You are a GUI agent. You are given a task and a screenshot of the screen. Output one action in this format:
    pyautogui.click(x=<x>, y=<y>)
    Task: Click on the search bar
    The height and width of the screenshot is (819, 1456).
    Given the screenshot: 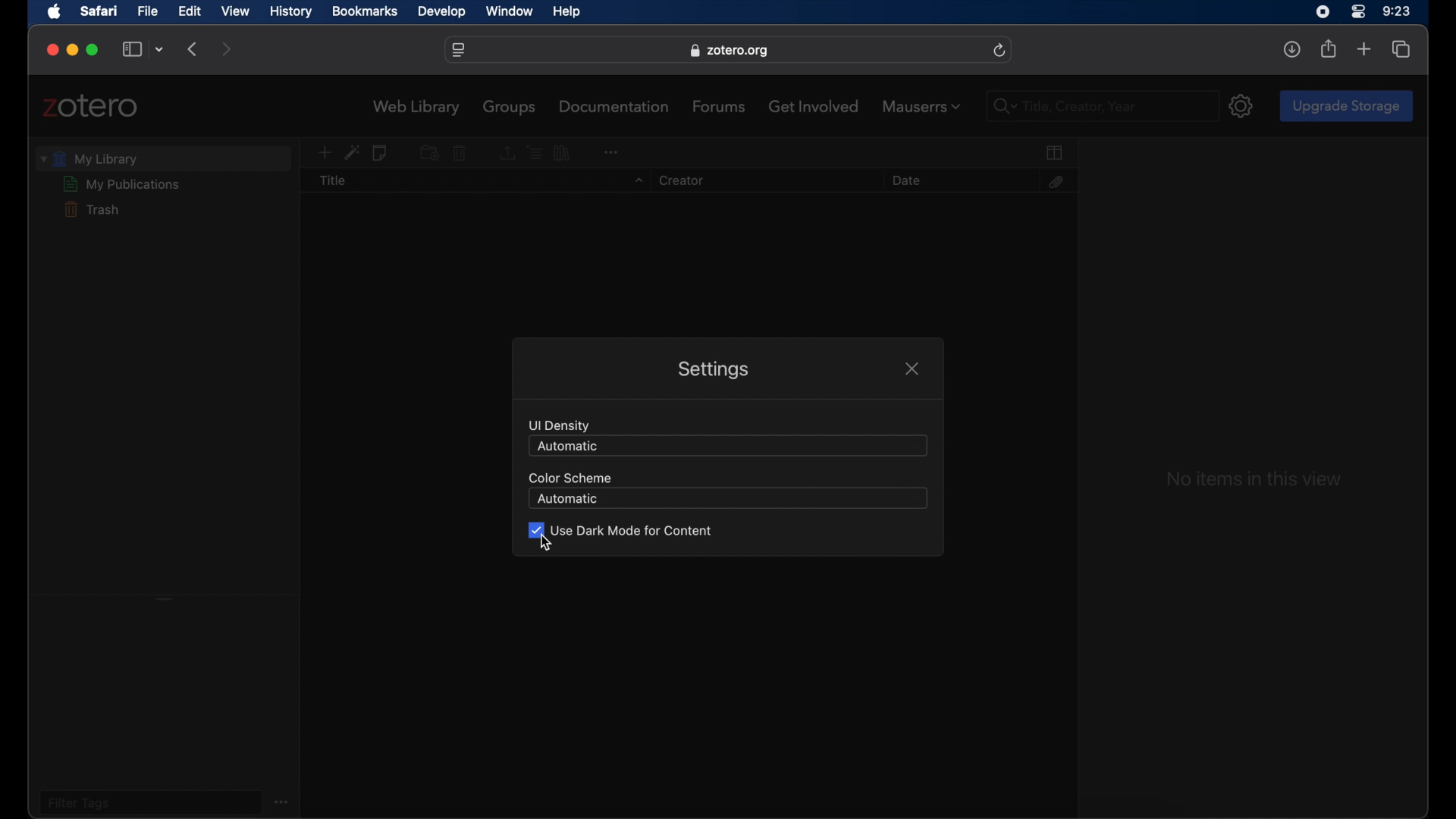 What is the action you would take?
    pyautogui.click(x=1001, y=107)
    